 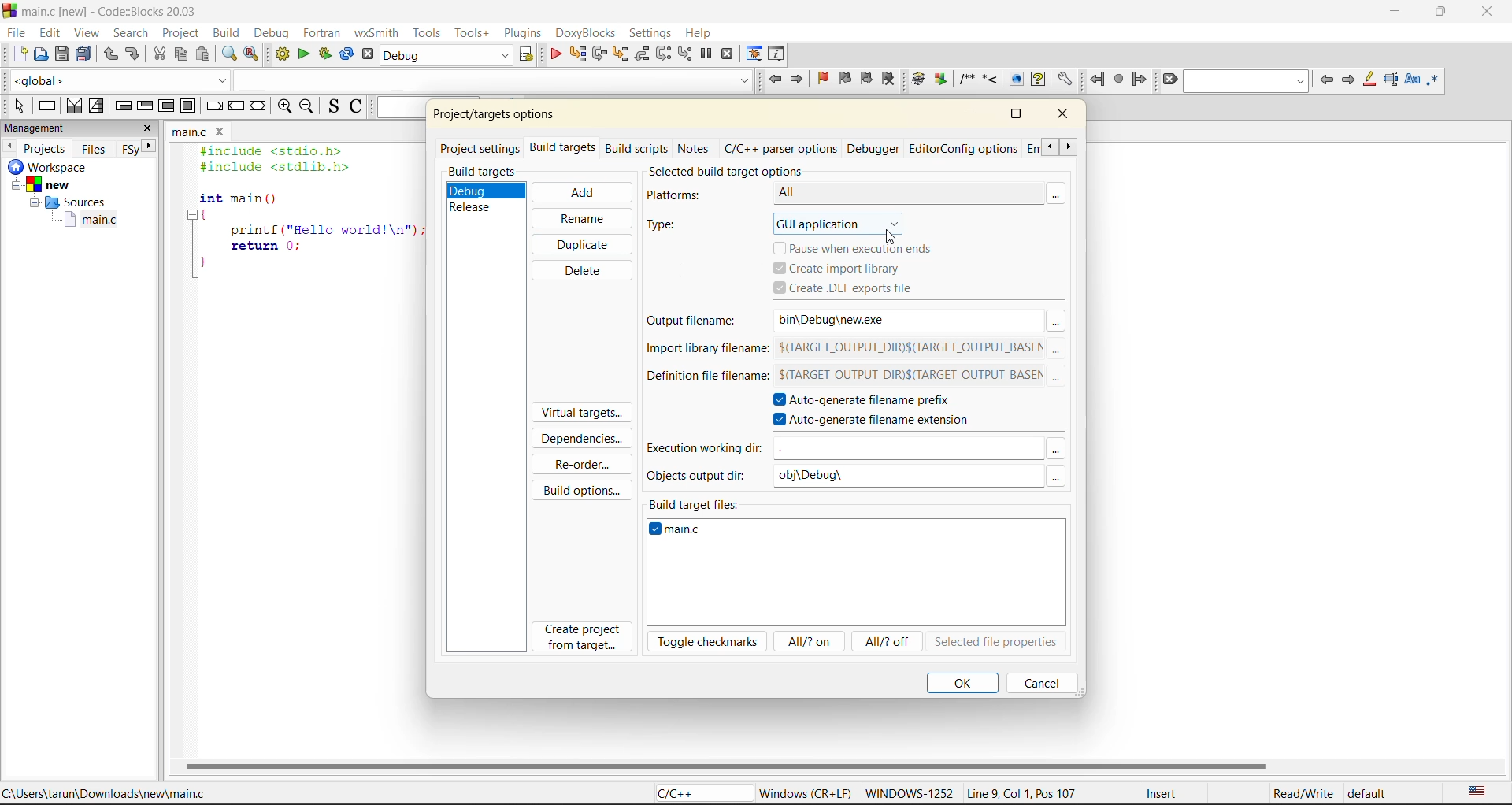 I want to click on management, so click(x=37, y=128).